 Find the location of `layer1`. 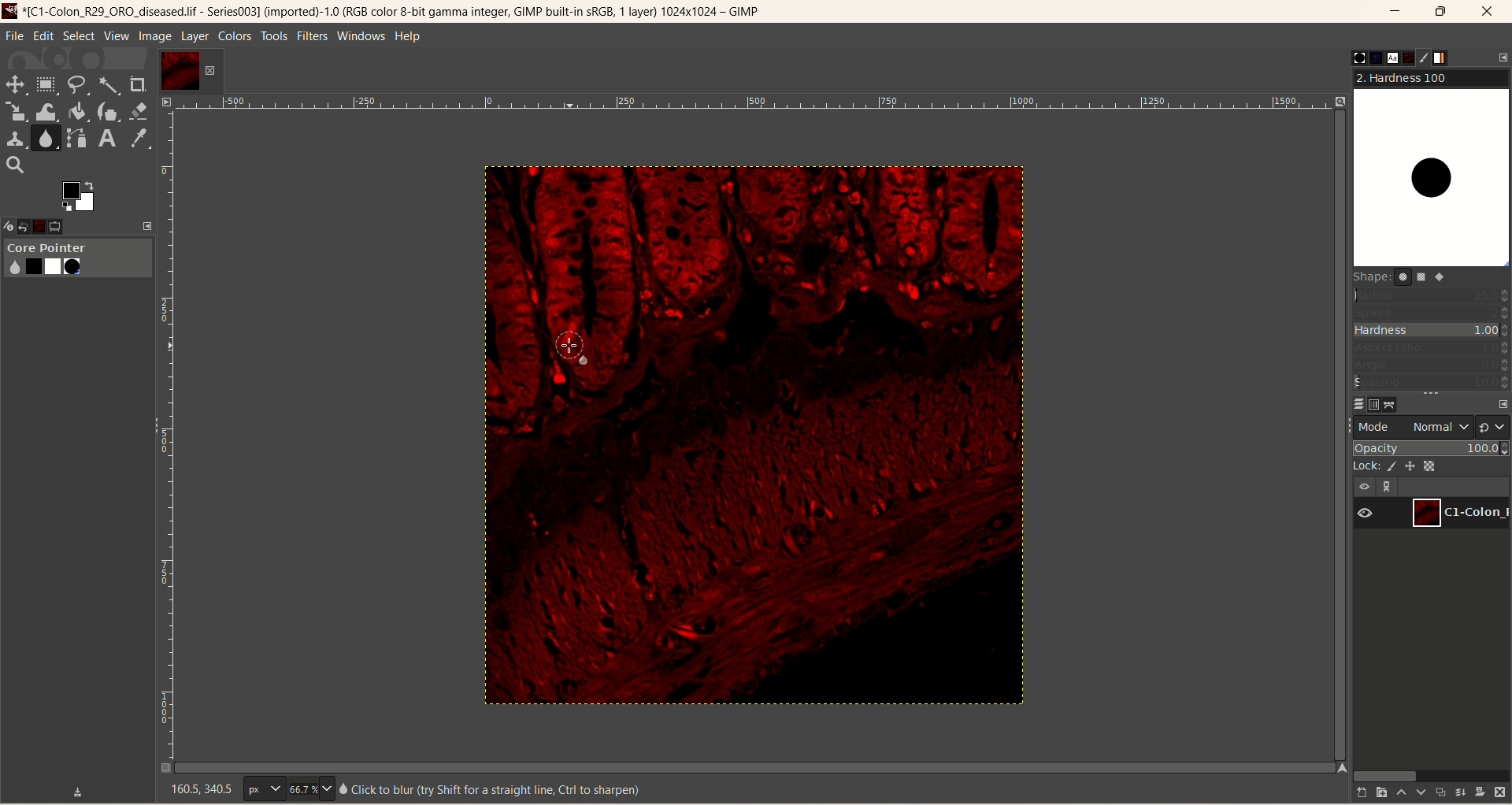

layer1 is located at coordinates (190, 71).